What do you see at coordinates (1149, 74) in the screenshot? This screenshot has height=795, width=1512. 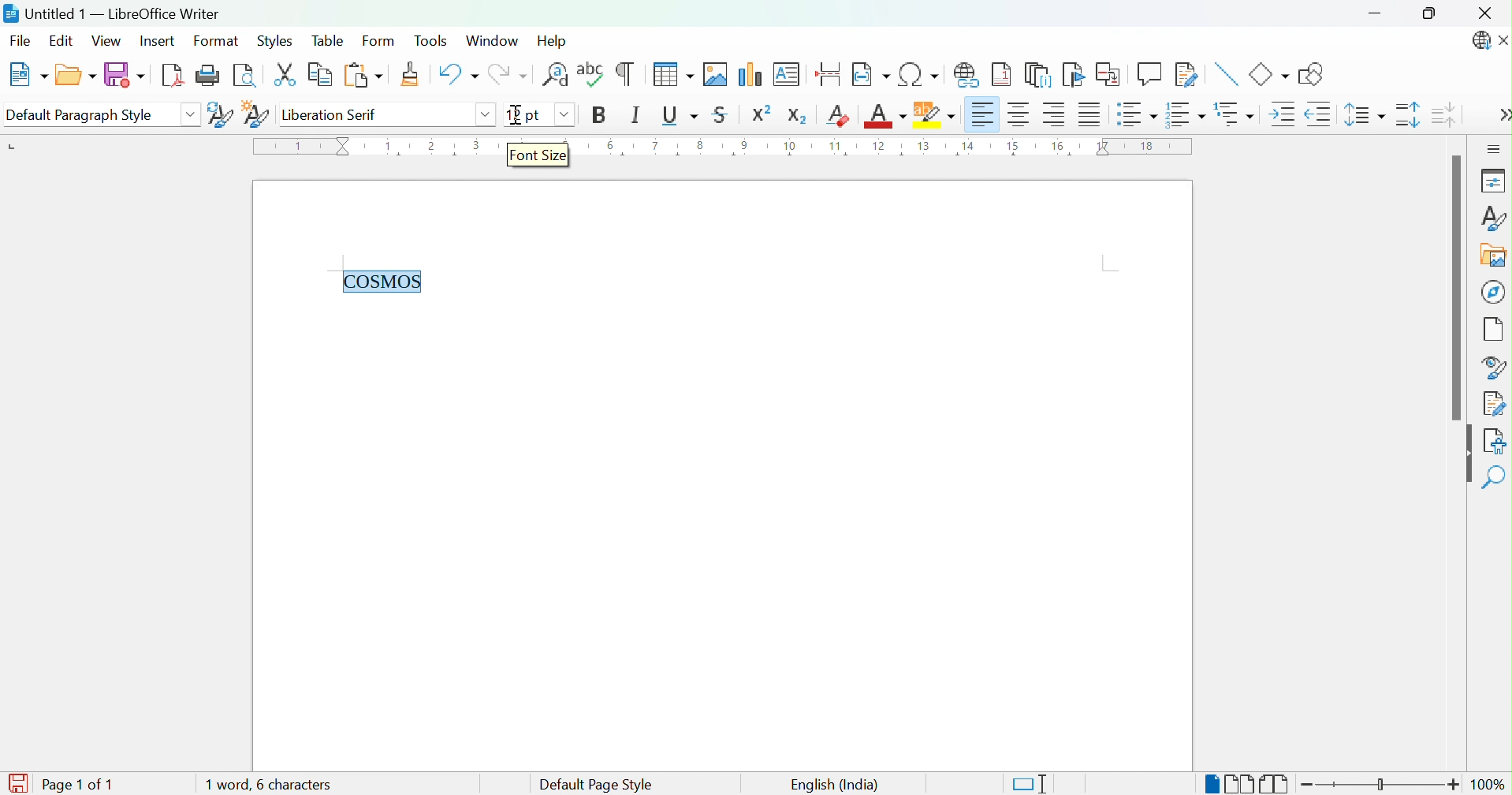 I see `Insert Comment` at bounding box center [1149, 74].